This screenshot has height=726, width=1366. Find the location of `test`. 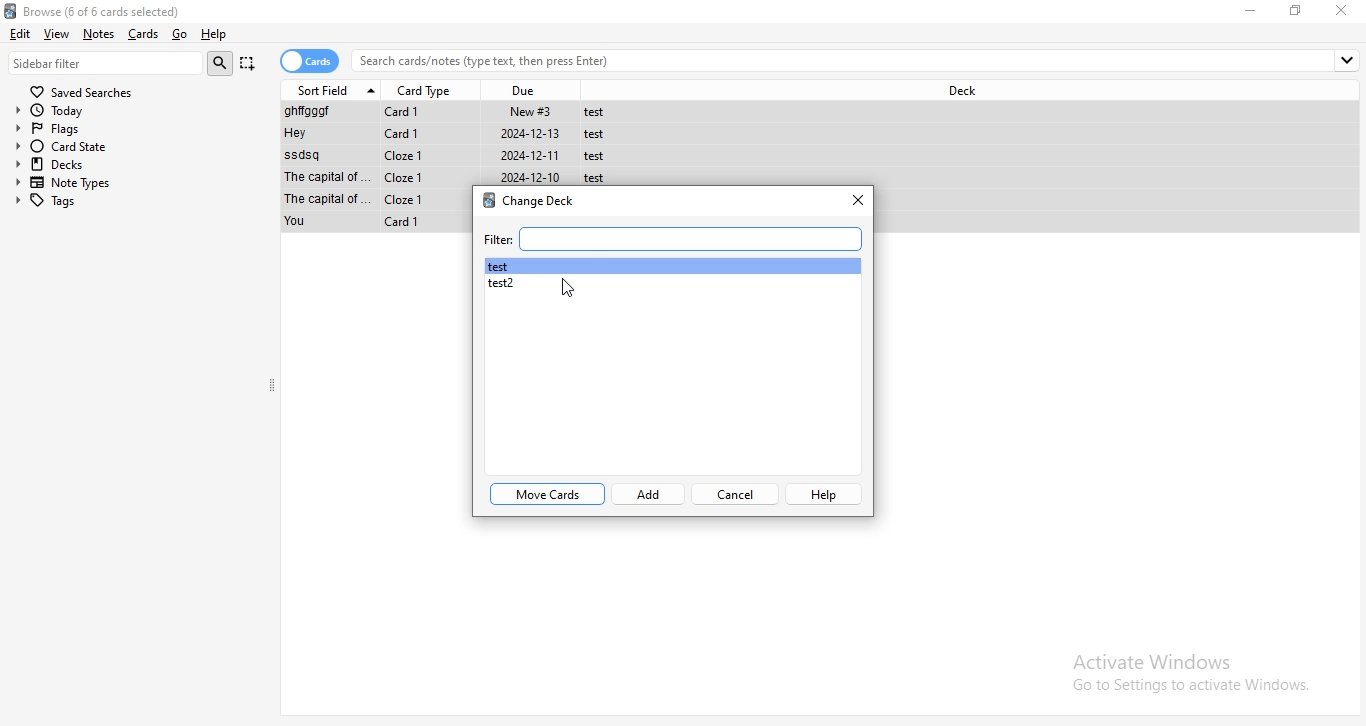

test is located at coordinates (671, 265).